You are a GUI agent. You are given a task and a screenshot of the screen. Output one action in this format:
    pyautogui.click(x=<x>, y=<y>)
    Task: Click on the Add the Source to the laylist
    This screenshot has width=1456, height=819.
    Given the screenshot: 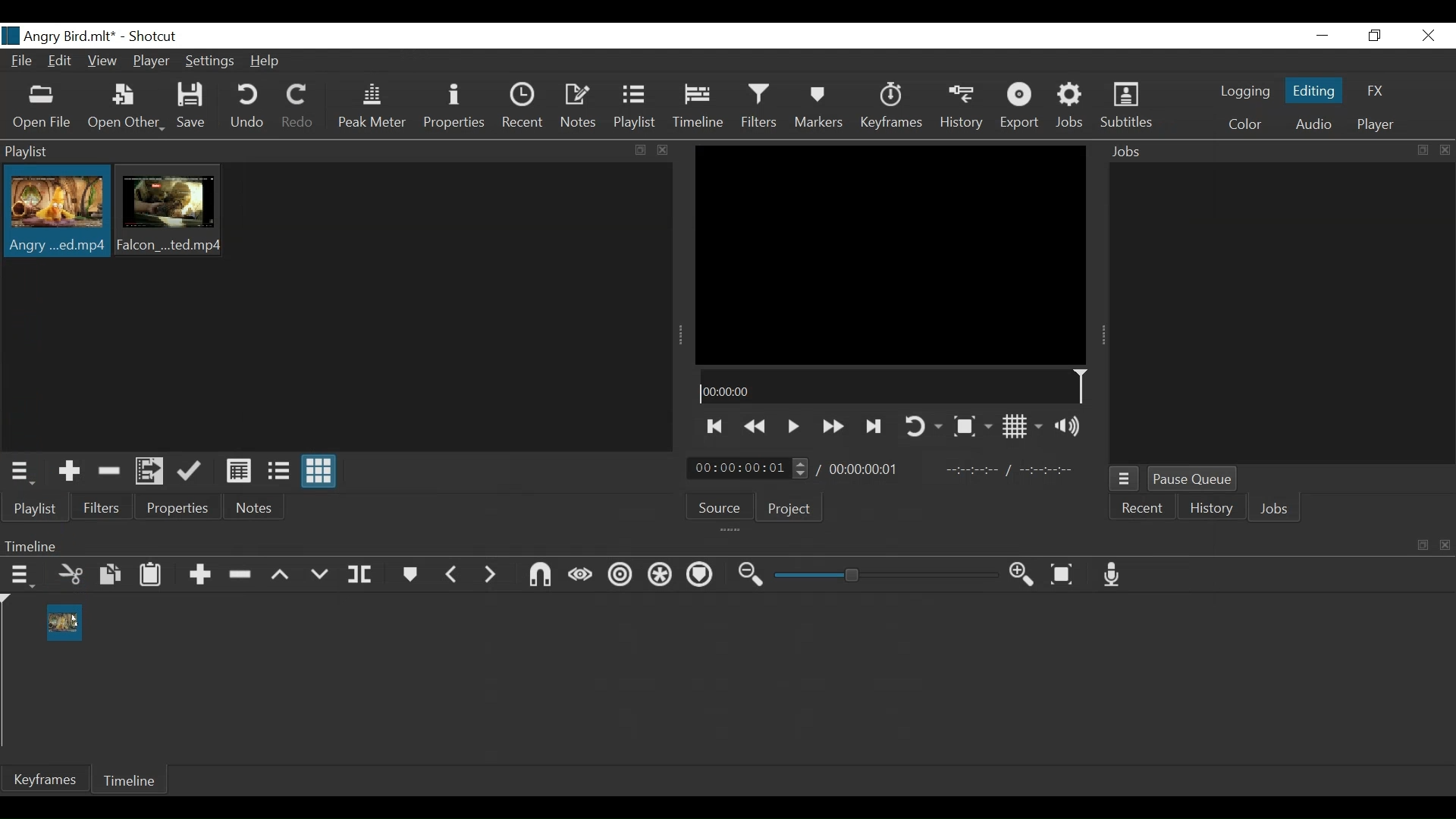 What is the action you would take?
    pyautogui.click(x=70, y=472)
    